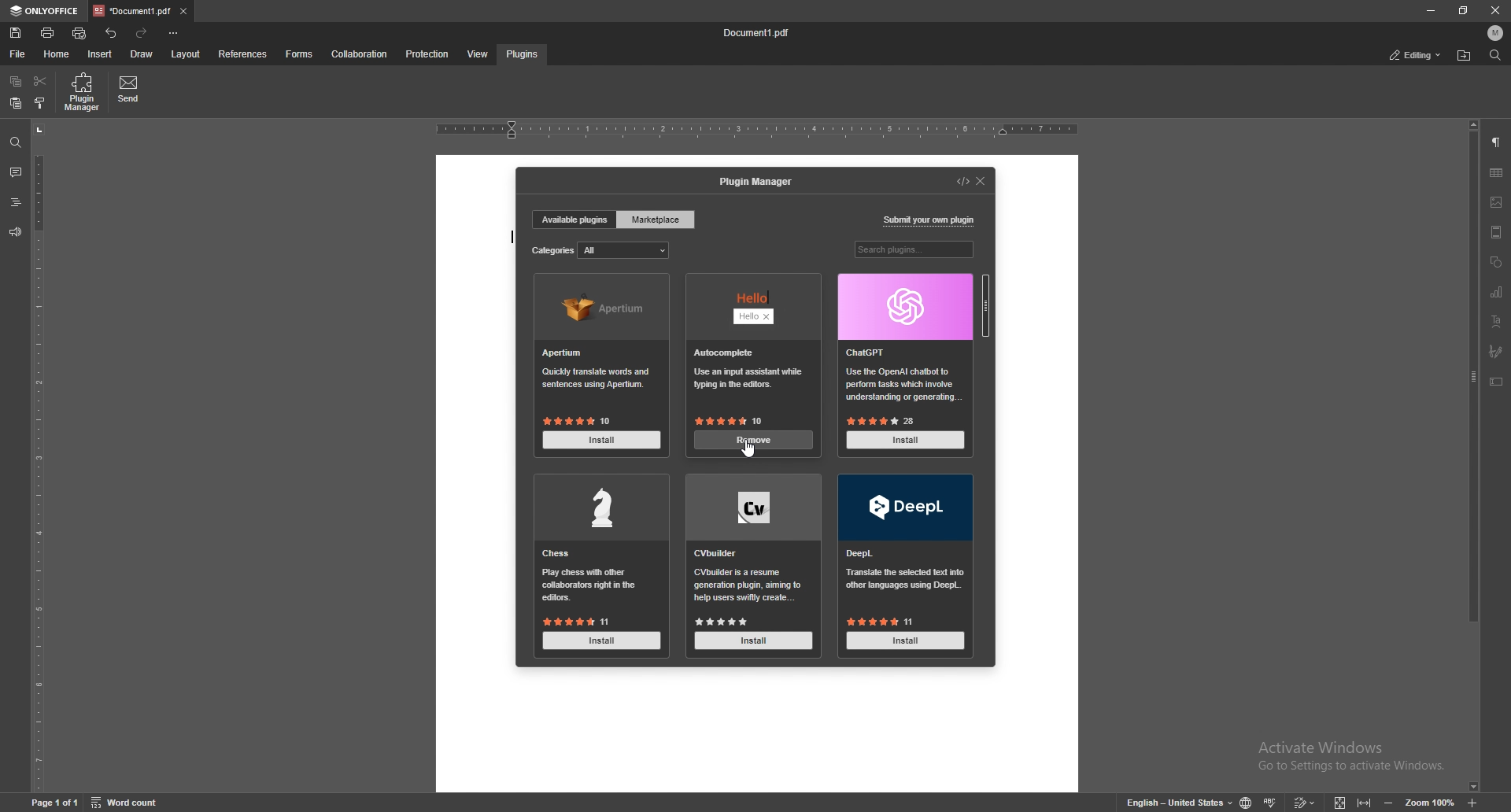 Image resolution: width=1511 pixels, height=812 pixels. I want to click on customize toolbar, so click(173, 34).